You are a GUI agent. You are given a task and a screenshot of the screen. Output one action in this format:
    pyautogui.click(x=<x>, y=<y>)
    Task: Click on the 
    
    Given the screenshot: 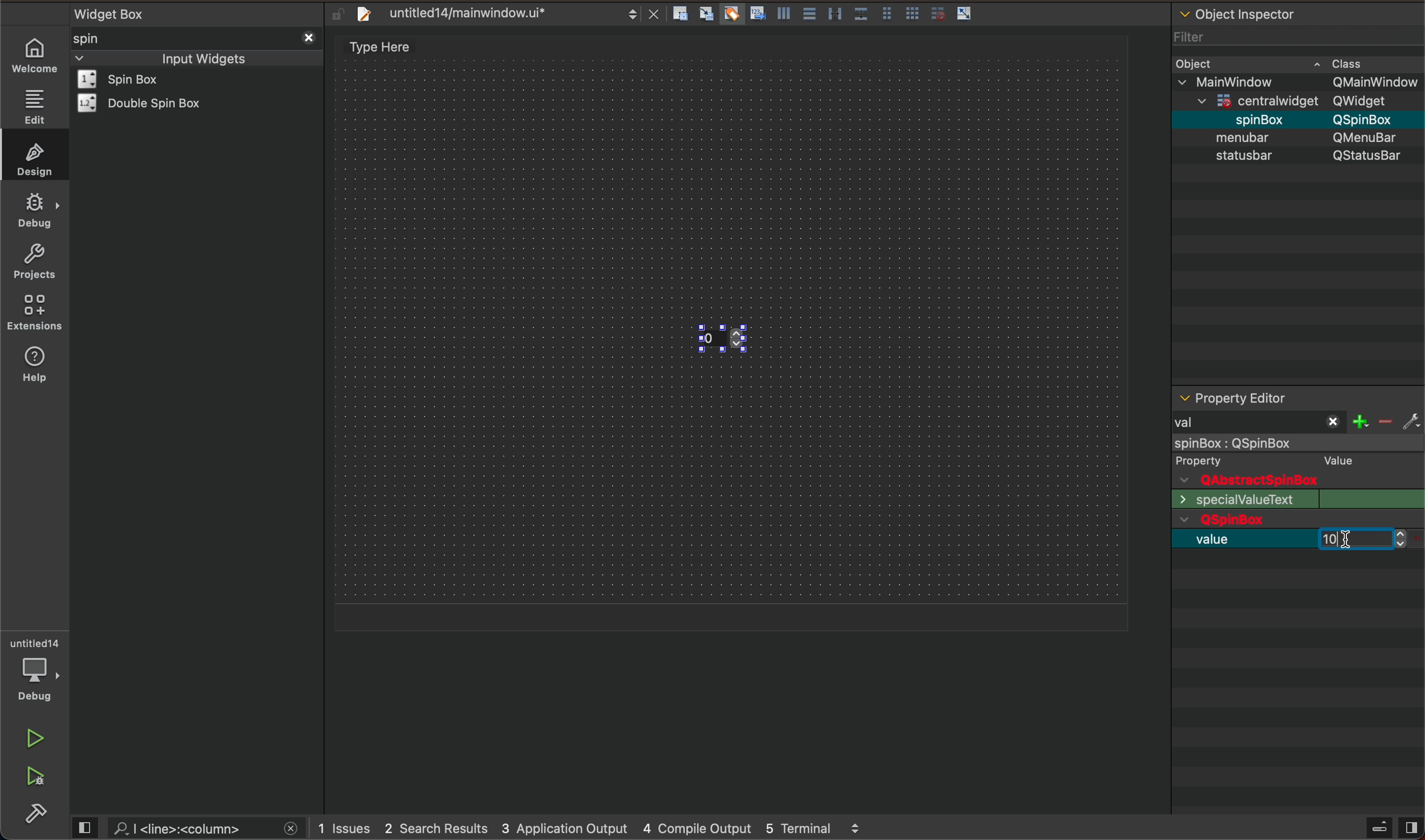 What is the action you would take?
    pyautogui.click(x=1368, y=119)
    